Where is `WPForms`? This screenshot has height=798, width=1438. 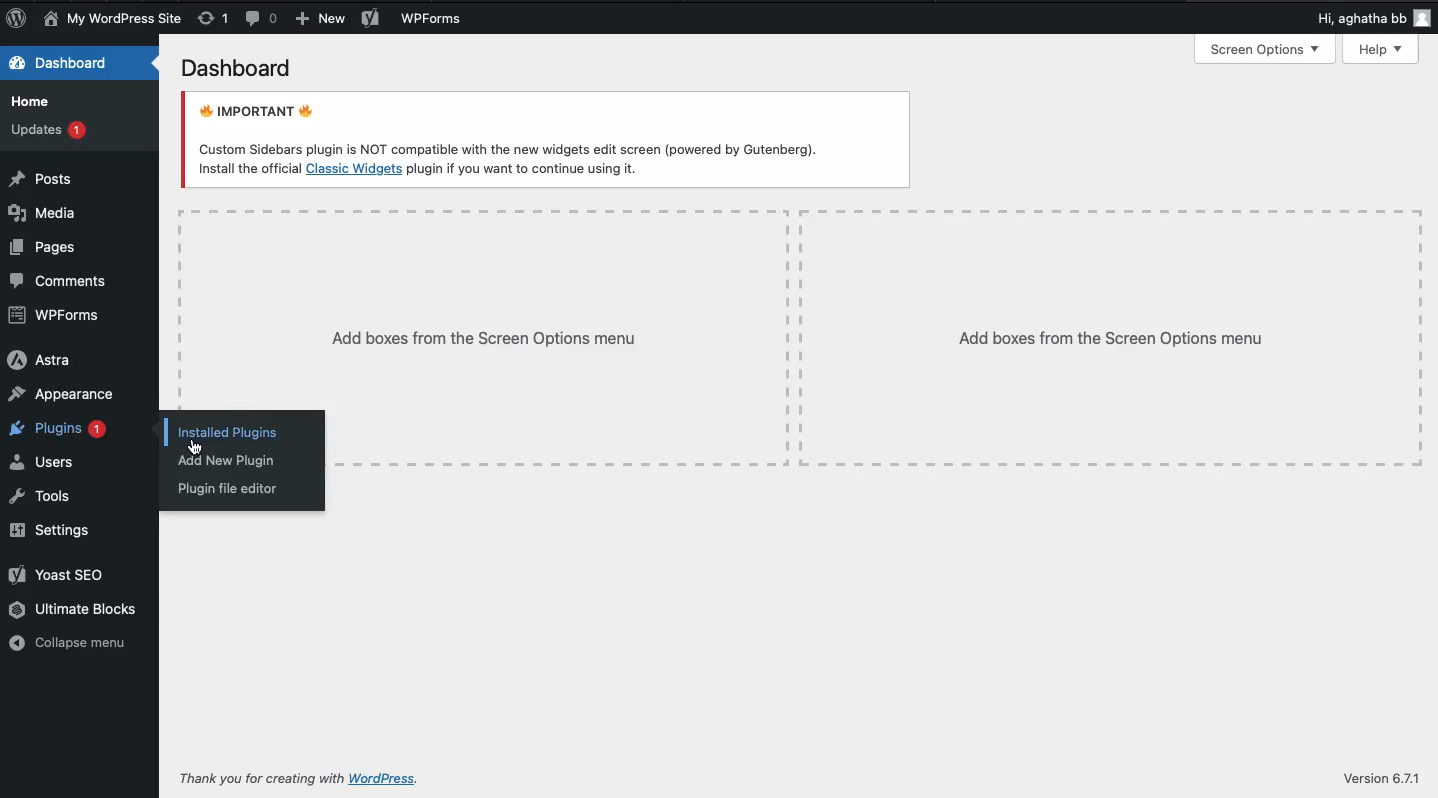
WPForms is located at coordinates (433, 20).